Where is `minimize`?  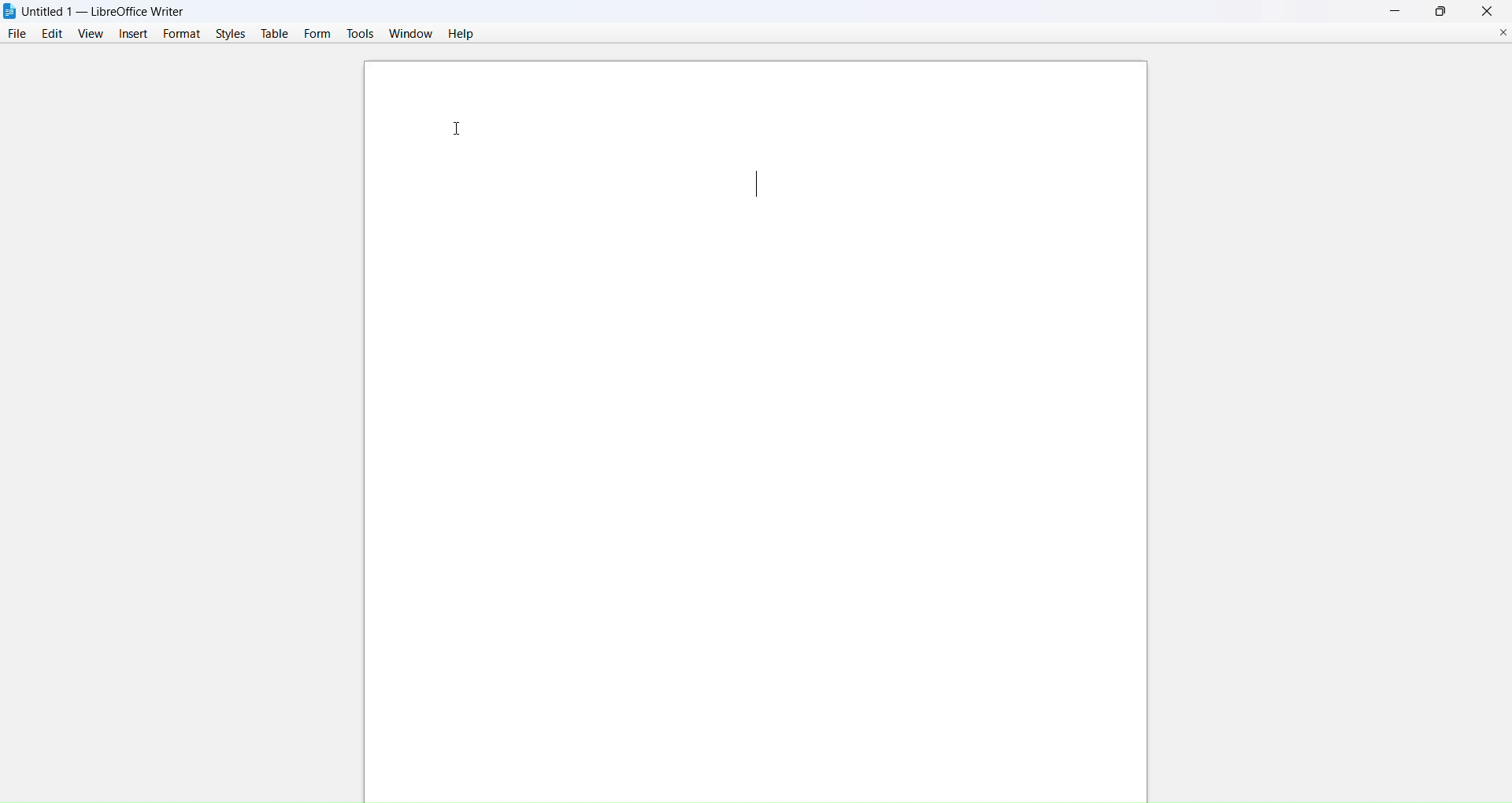
minimize is located at coordinates (1399, 11).